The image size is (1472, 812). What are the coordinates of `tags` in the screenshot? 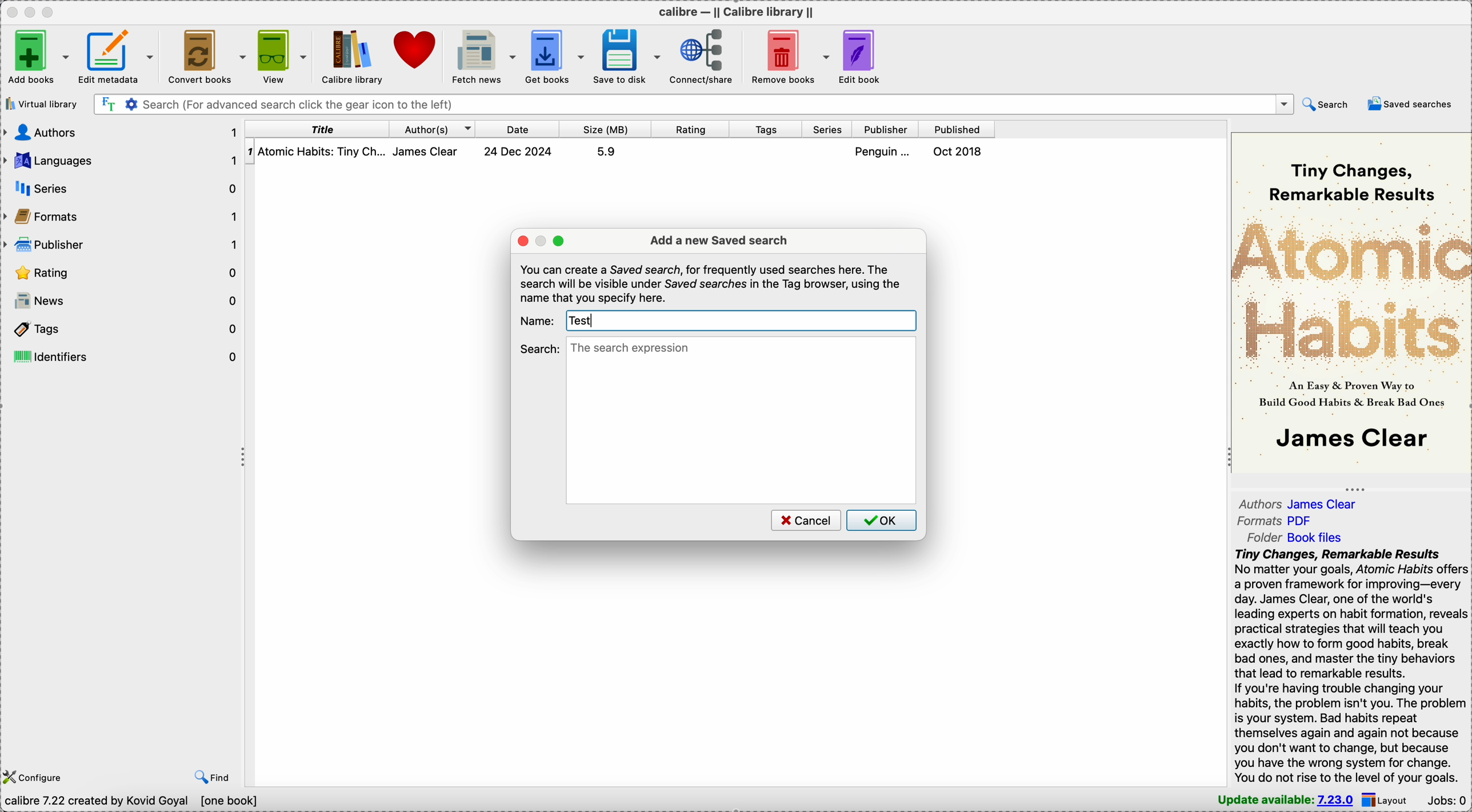 It's located at (767, 130).